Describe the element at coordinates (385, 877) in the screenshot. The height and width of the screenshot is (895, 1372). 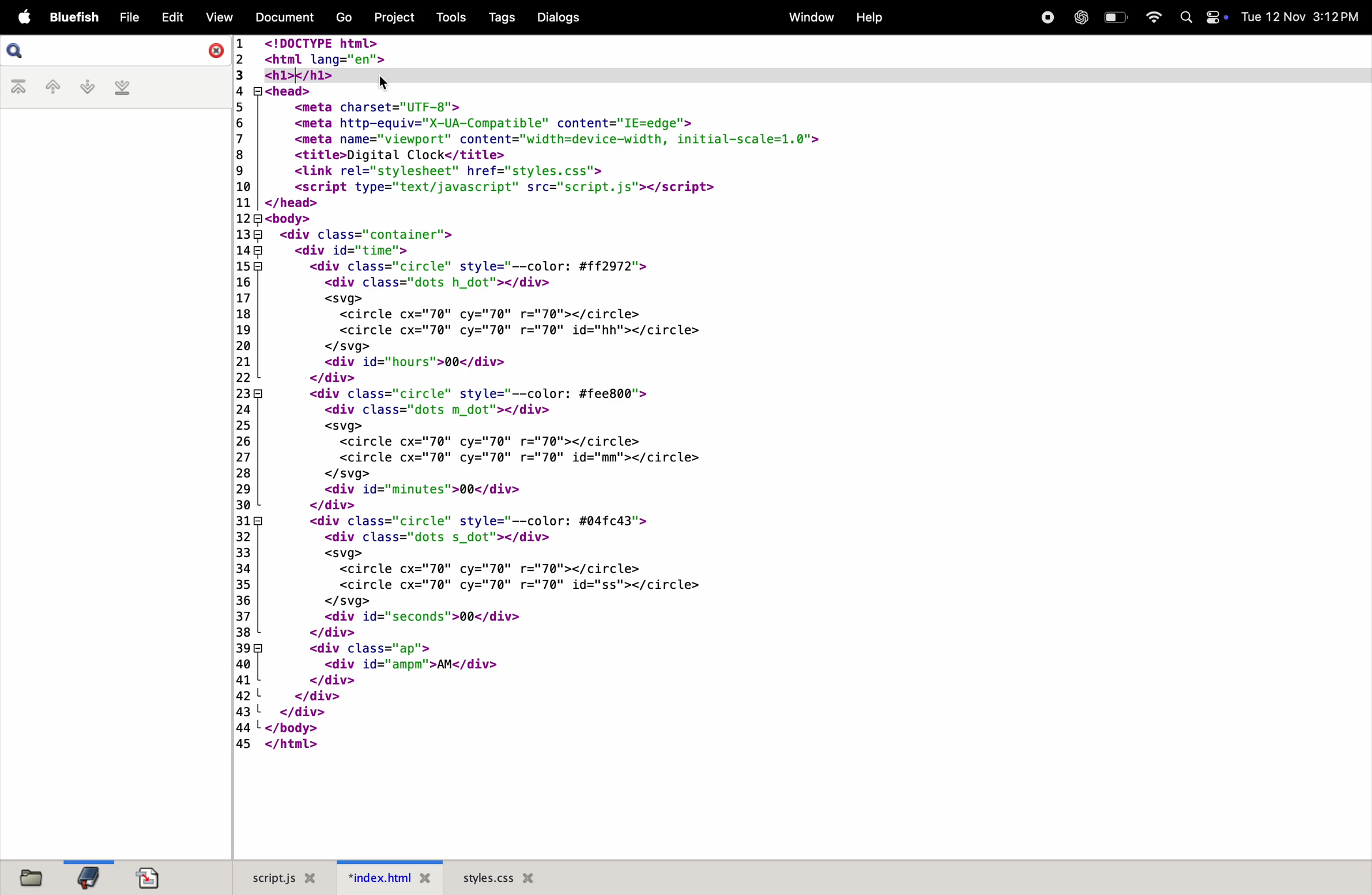
I see `*index.html` at that location.